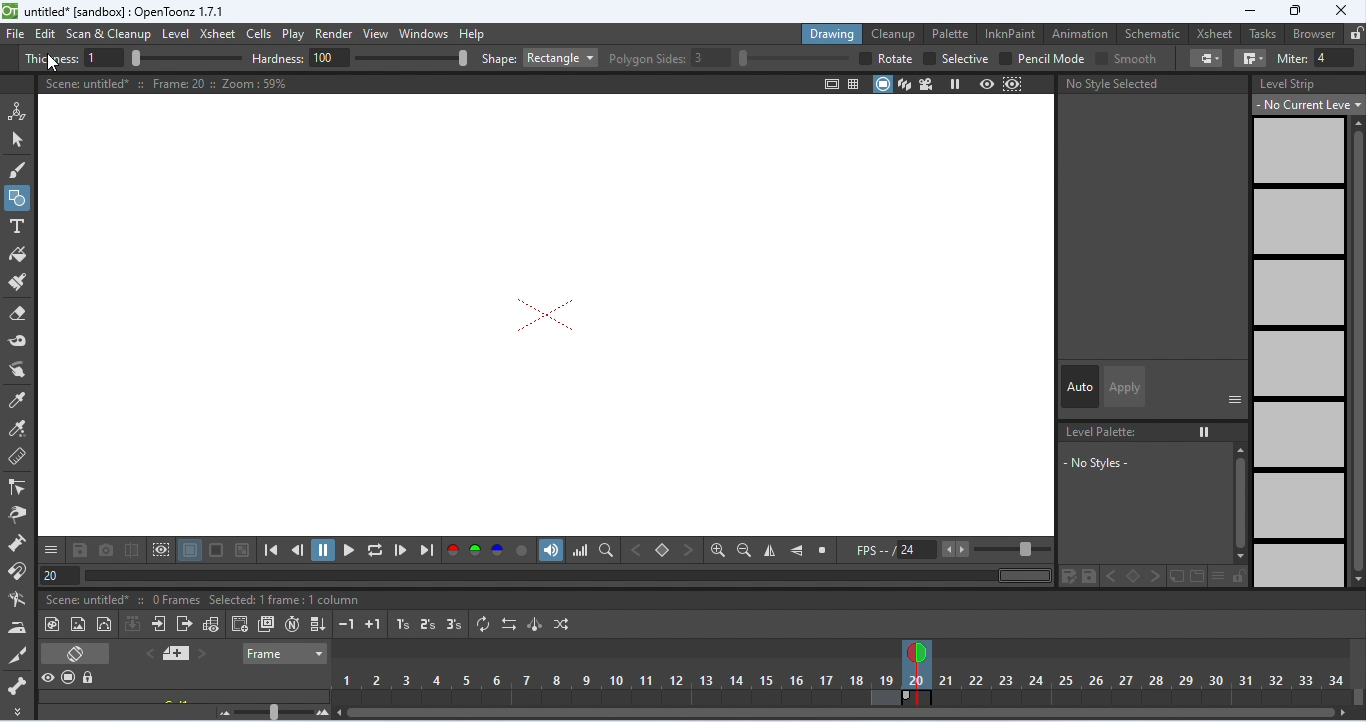  What do you see at coordinates (159, 622) in the screenshot?
I see `open sub-xsheet` at bounding box center [159, 622].